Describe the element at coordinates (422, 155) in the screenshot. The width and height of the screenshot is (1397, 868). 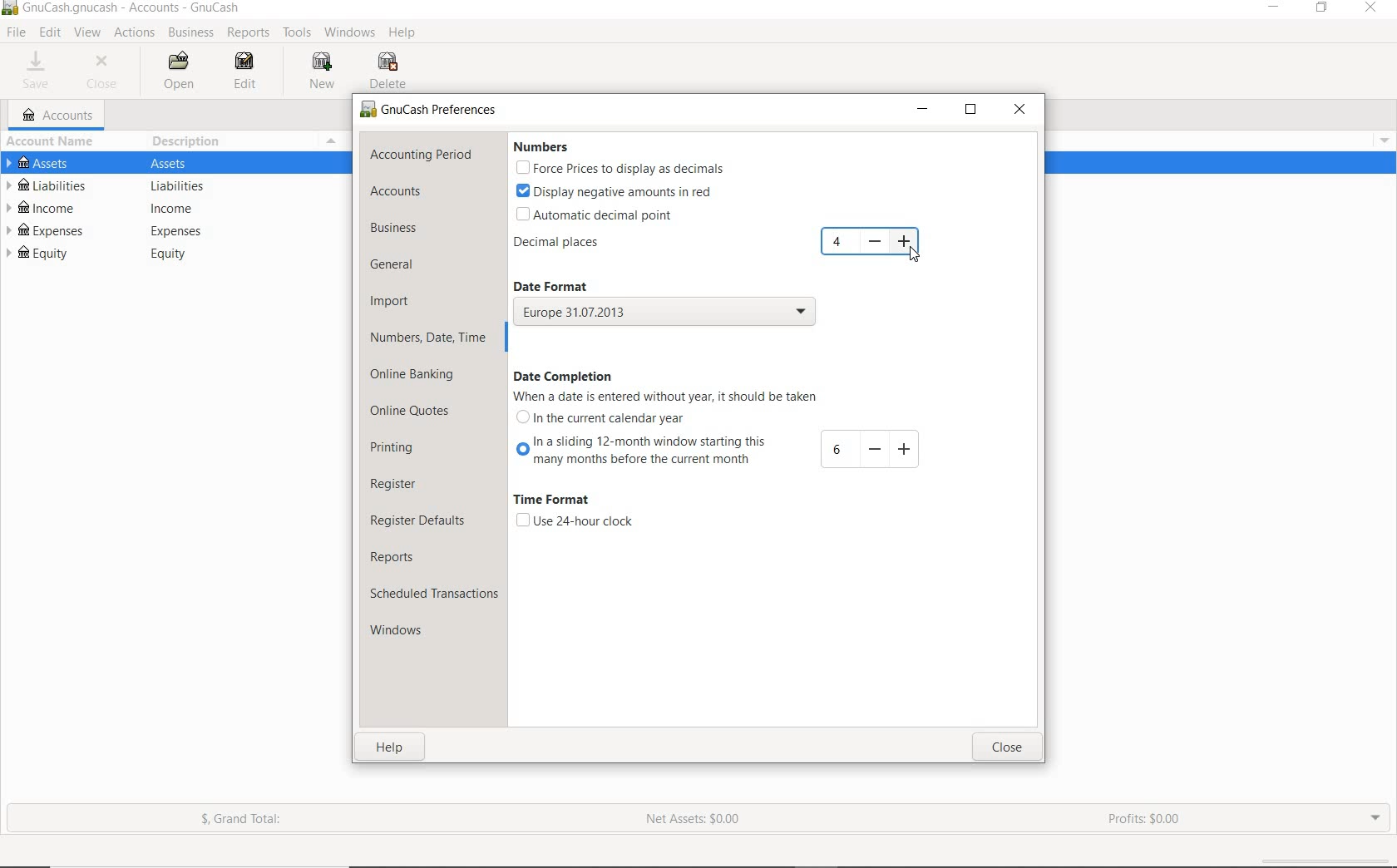
I see `accounting period` at that location.